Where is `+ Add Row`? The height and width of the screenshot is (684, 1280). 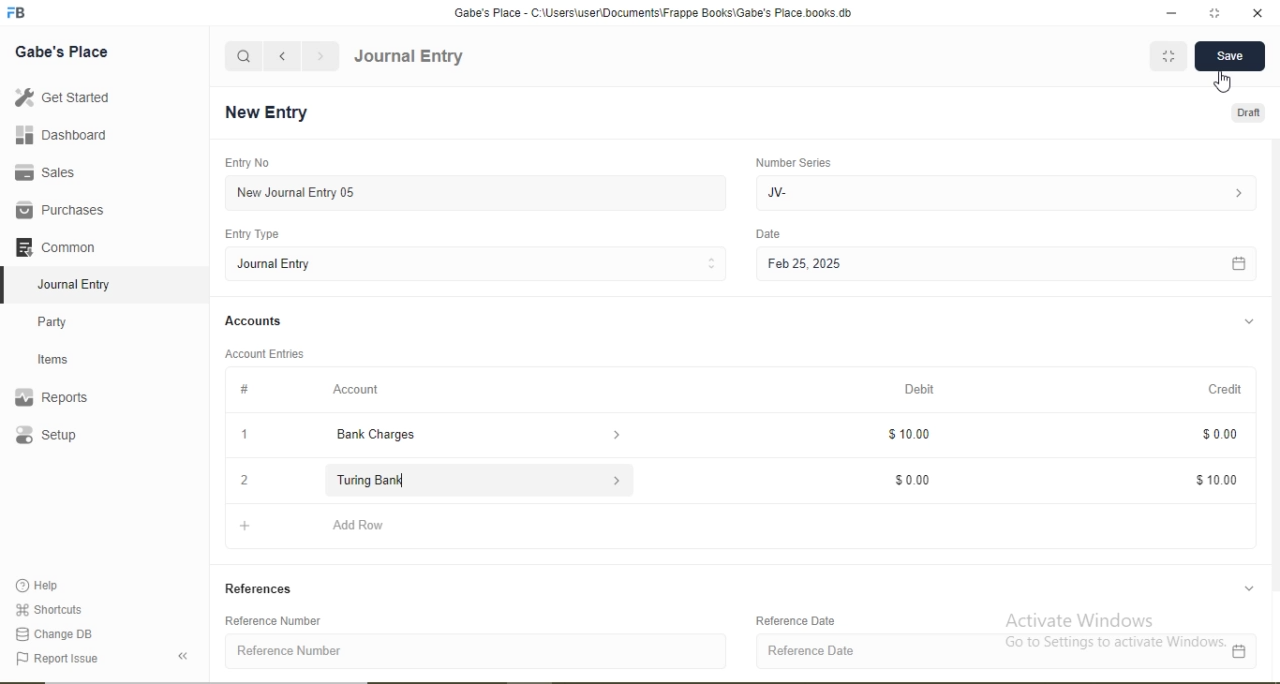
+ Add Row is located at coordinates (745, 528).